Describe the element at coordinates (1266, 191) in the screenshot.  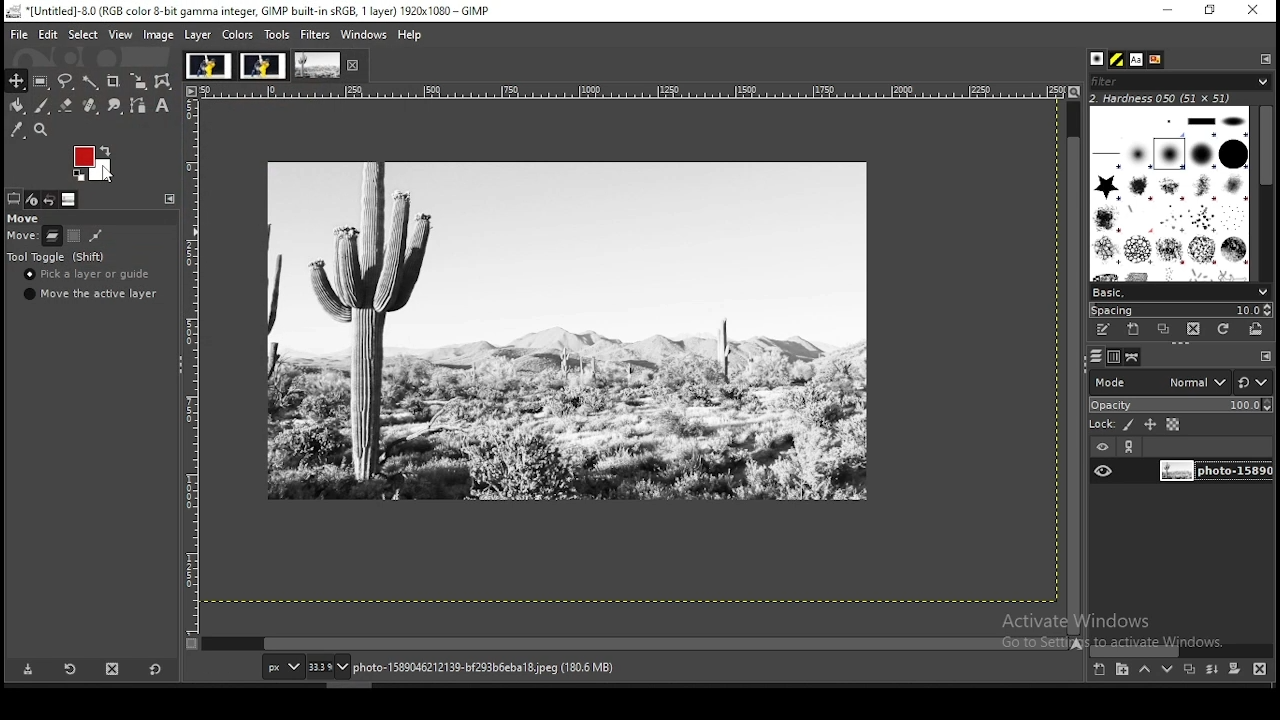
I see `scroll bar` at that location.